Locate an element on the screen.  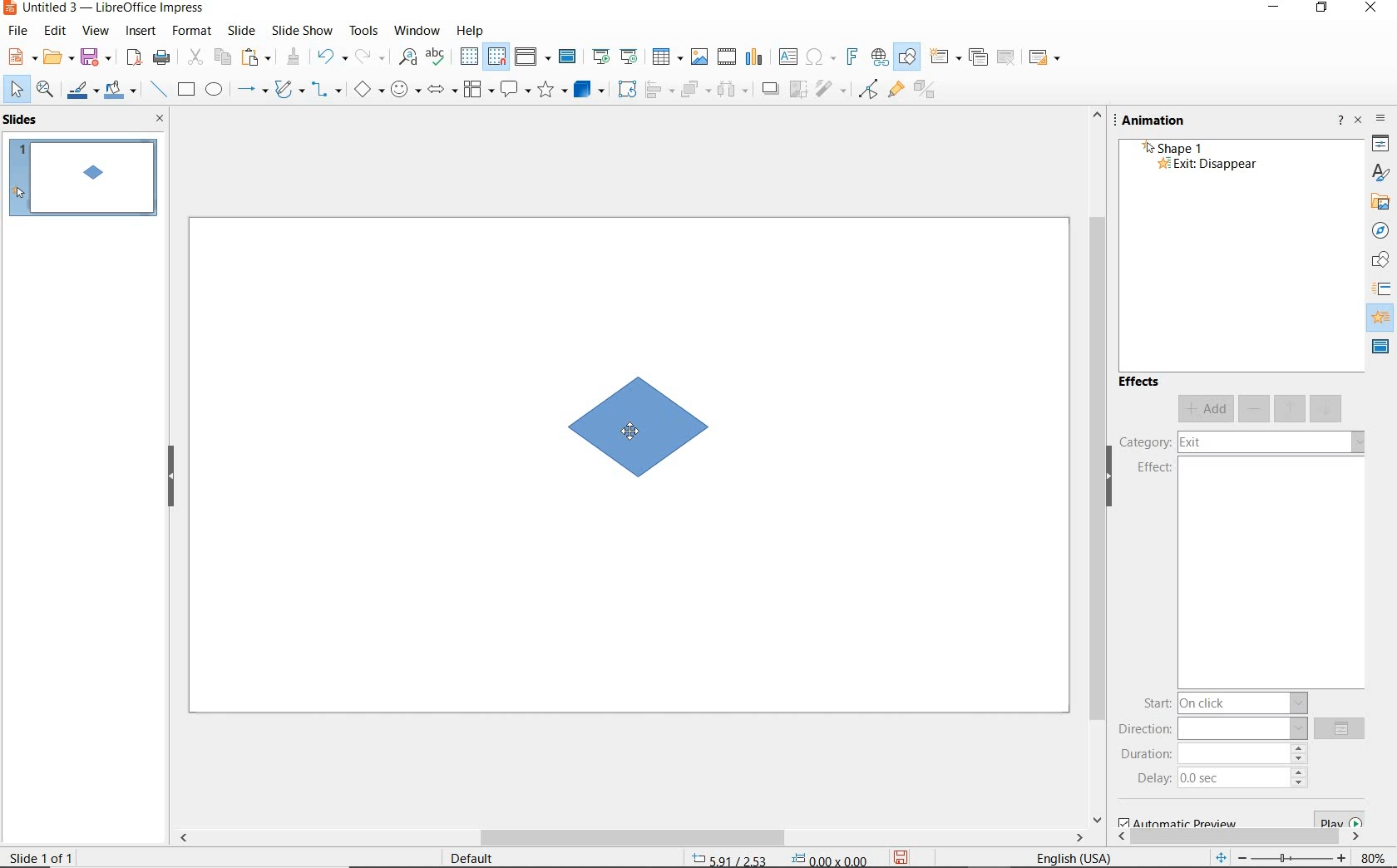
cut is located at coordinates (195, 57).